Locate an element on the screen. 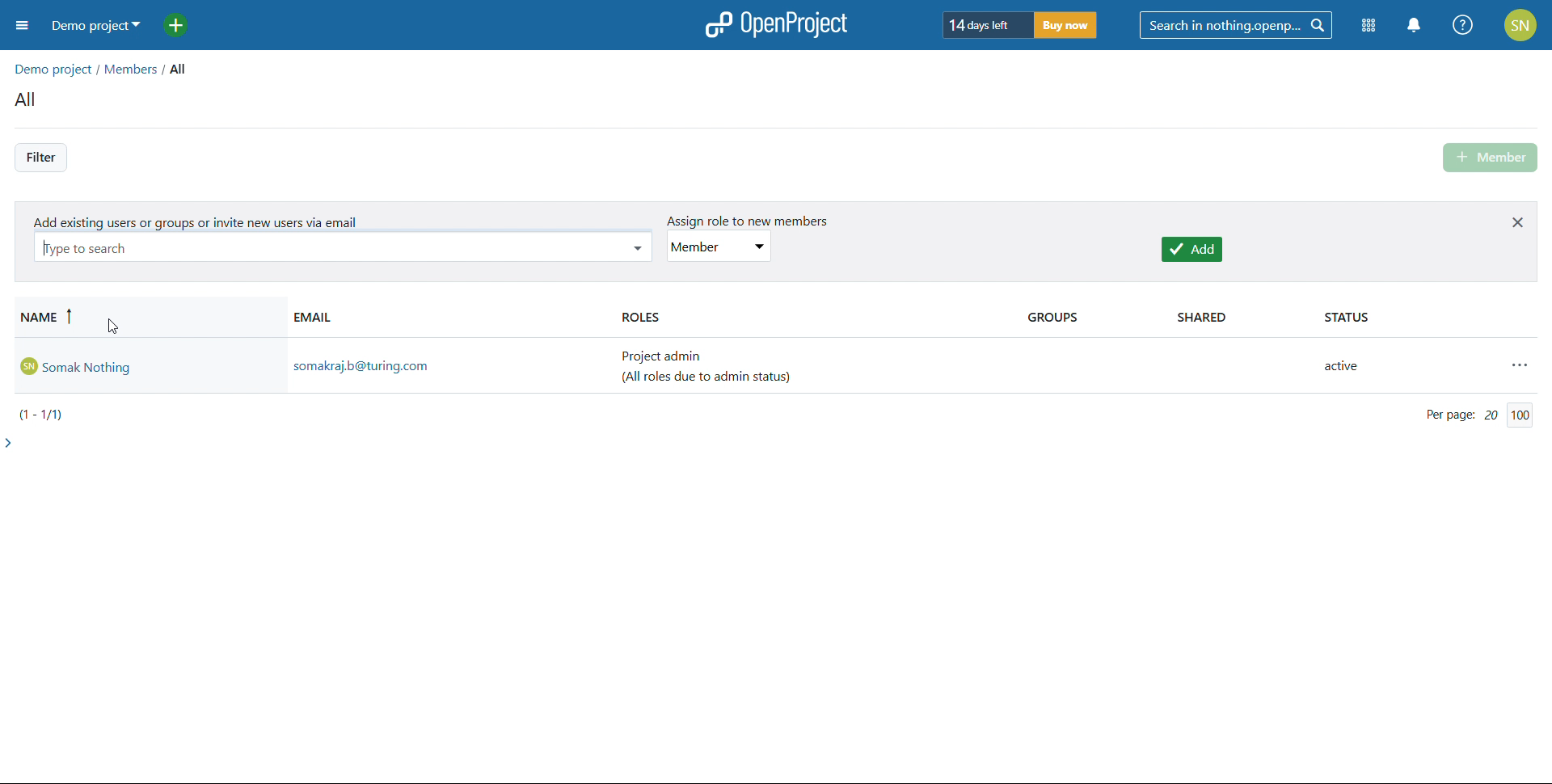 This screenshot has height=784, width=1552. filter is located at coordinates (40, 158).